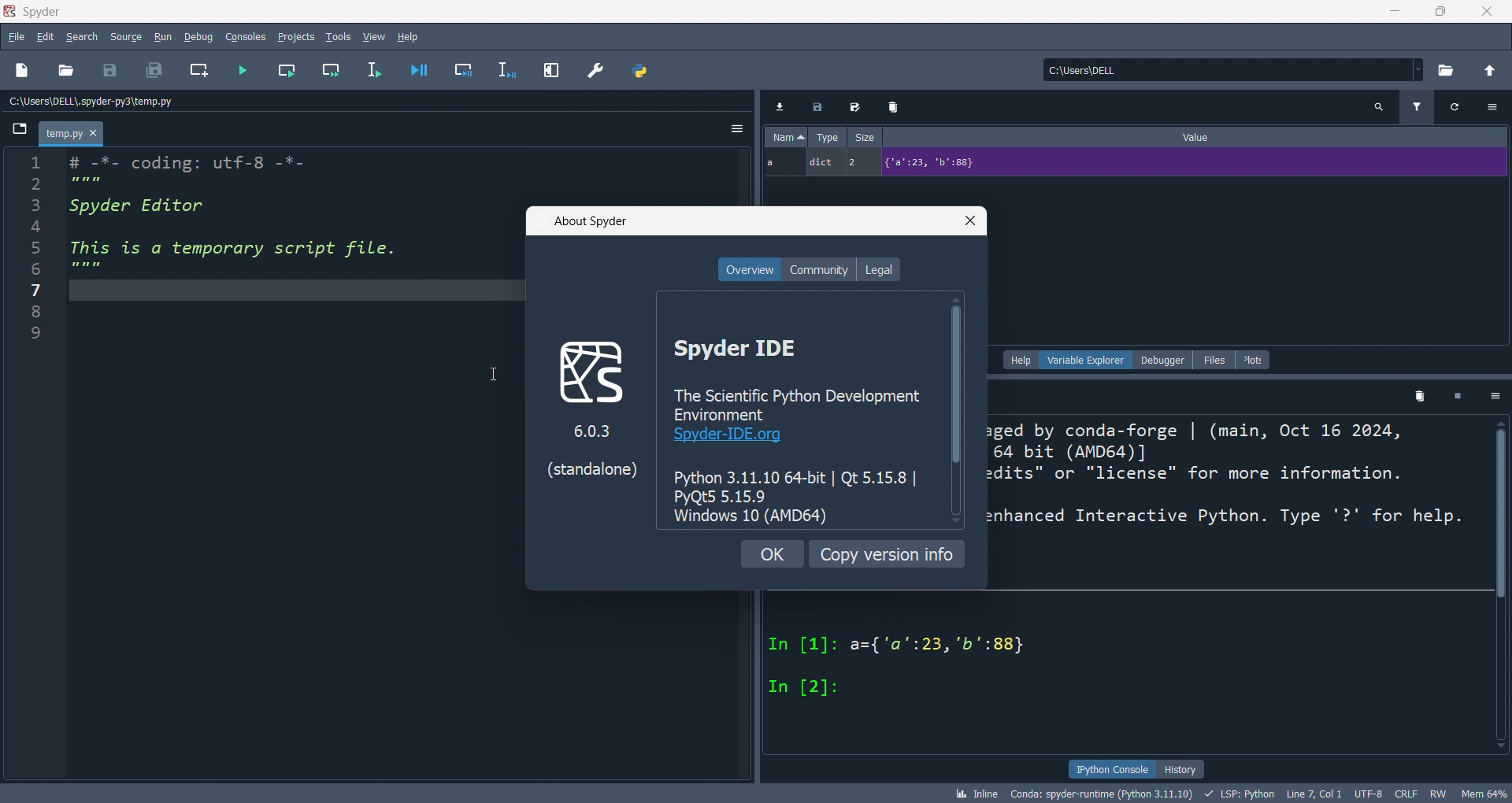 The height and width of the screenshot is (803, 1512). Describe the element at coordinates (1136, 164) in the screenshot. I see `a dict 2 {'a':23, 'b':88}` at that location.